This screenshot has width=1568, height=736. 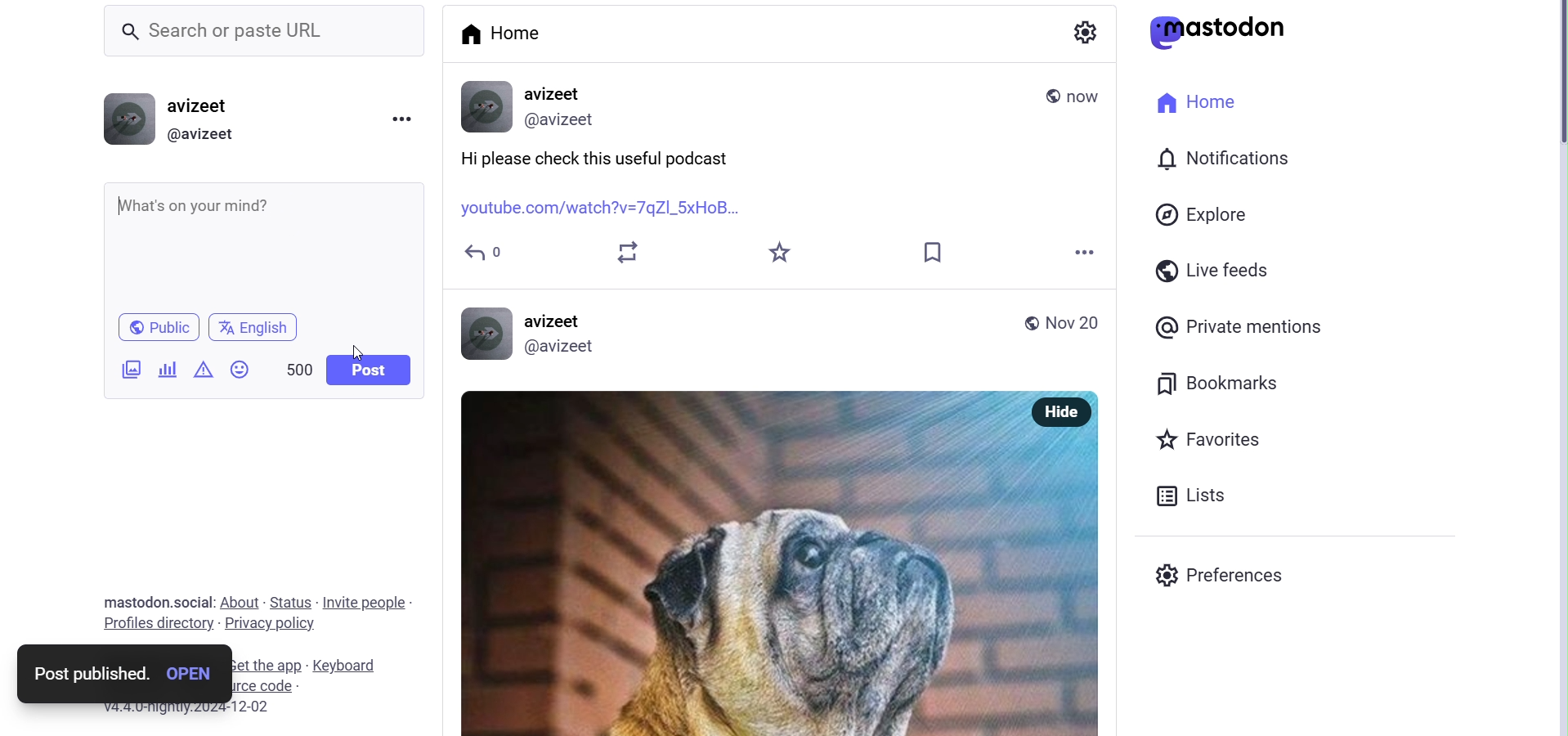 I want to click on menu, so click(x=404, y=119).